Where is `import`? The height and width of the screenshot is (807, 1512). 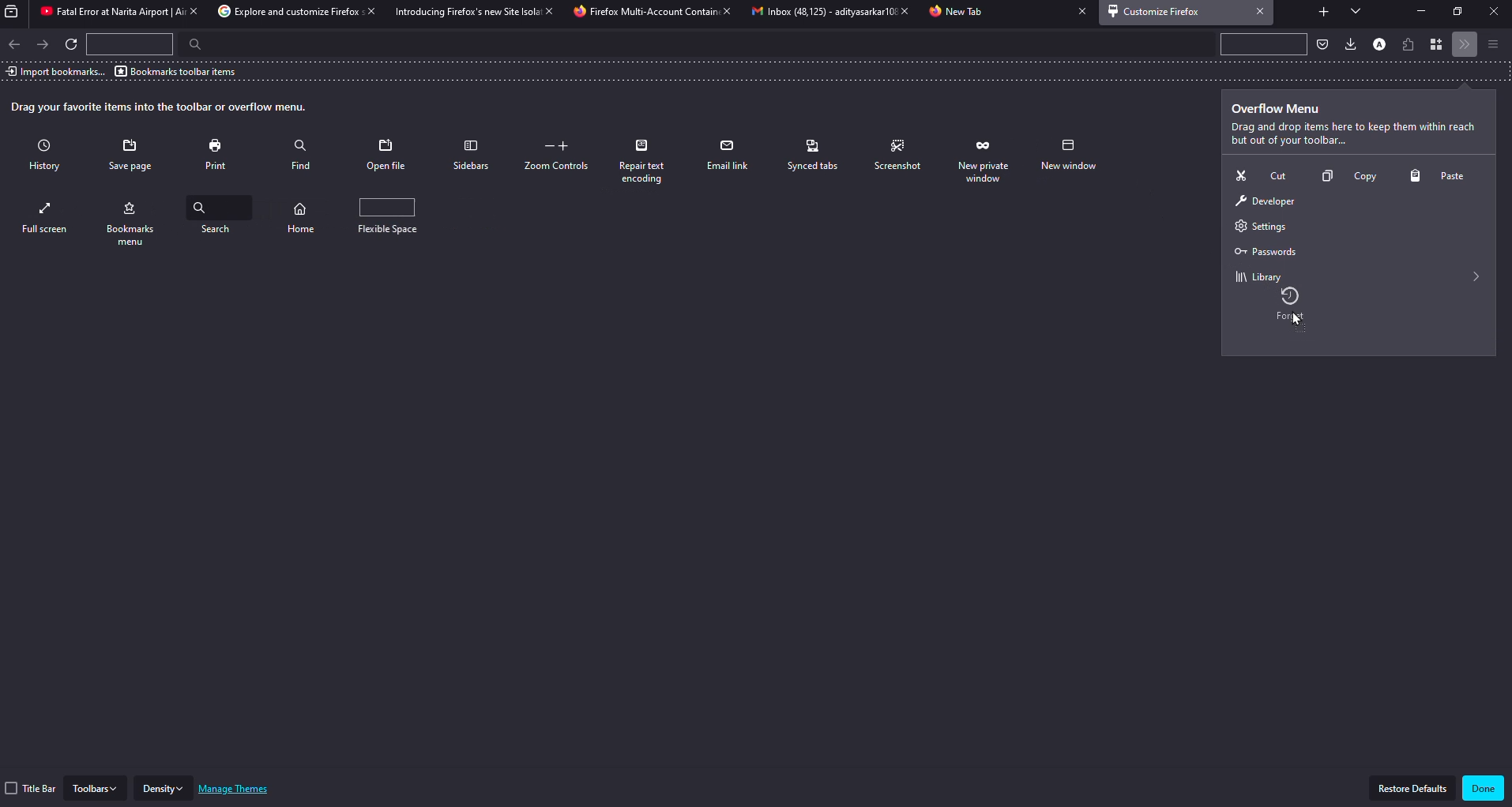 import is located at coordinates (55, 71).